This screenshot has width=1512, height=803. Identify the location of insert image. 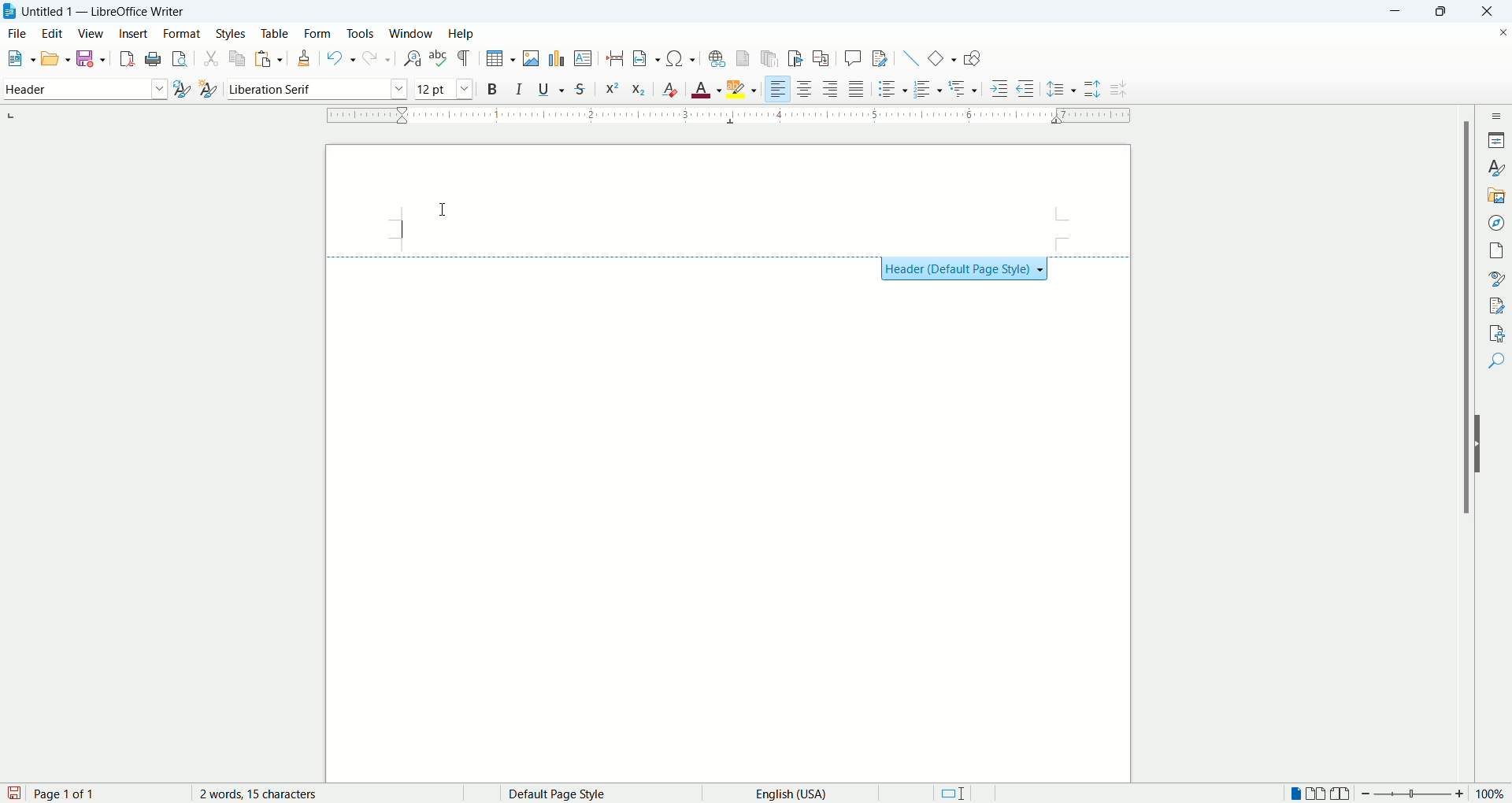
(531, 57).